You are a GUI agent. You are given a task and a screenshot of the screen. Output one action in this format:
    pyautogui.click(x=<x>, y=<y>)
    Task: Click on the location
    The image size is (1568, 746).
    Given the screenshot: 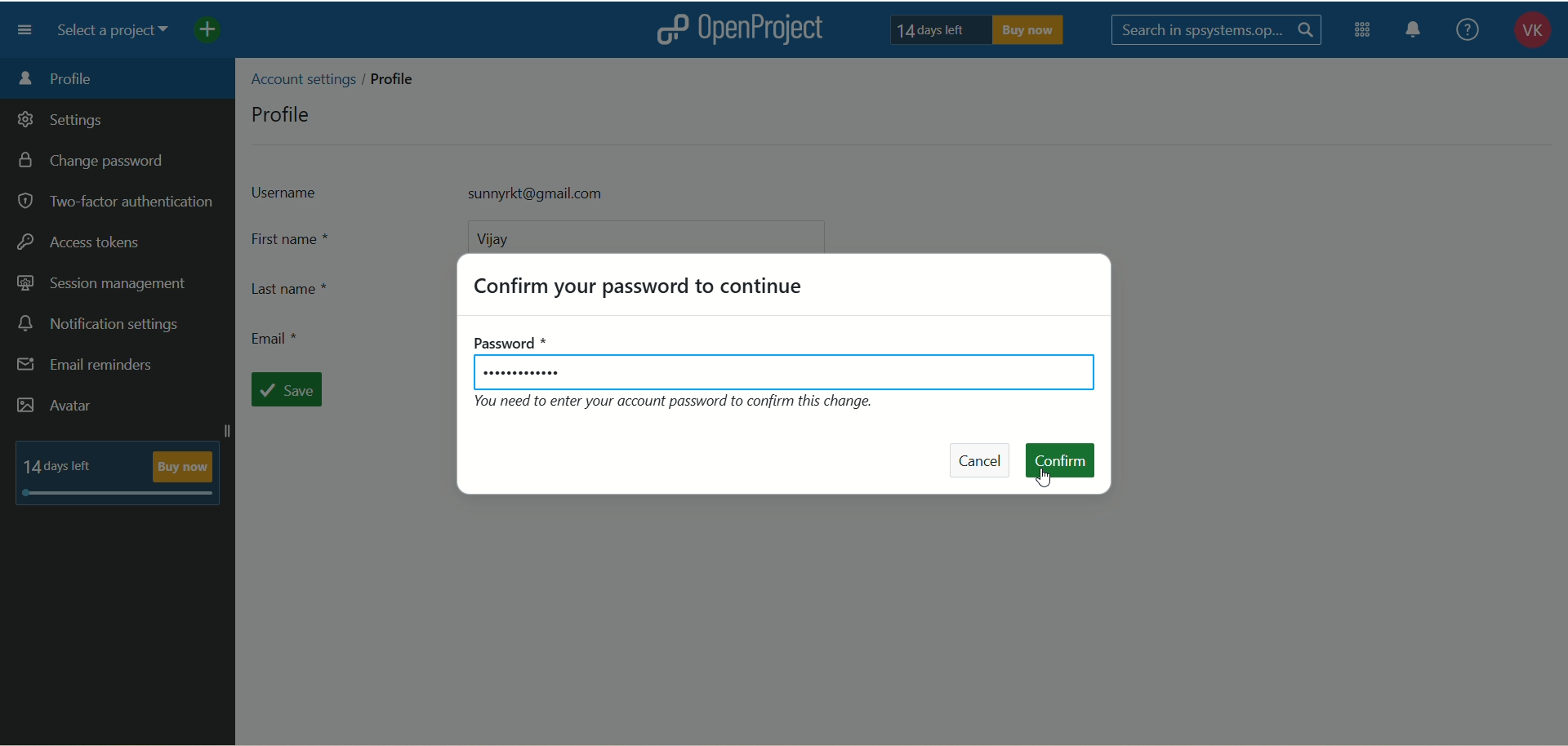 What is the action you would take?
    pyautogui.click(x=340, y=77)
    